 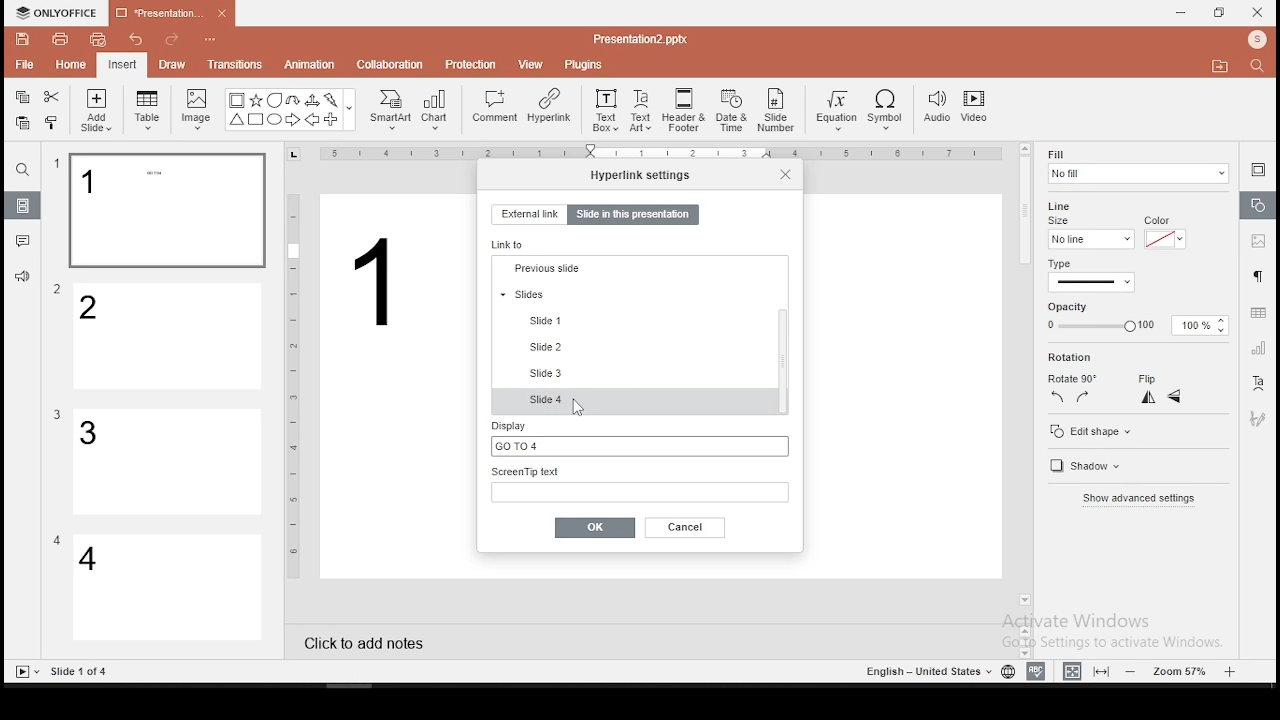 I want to click on Circle, so click(x=276, y=119).